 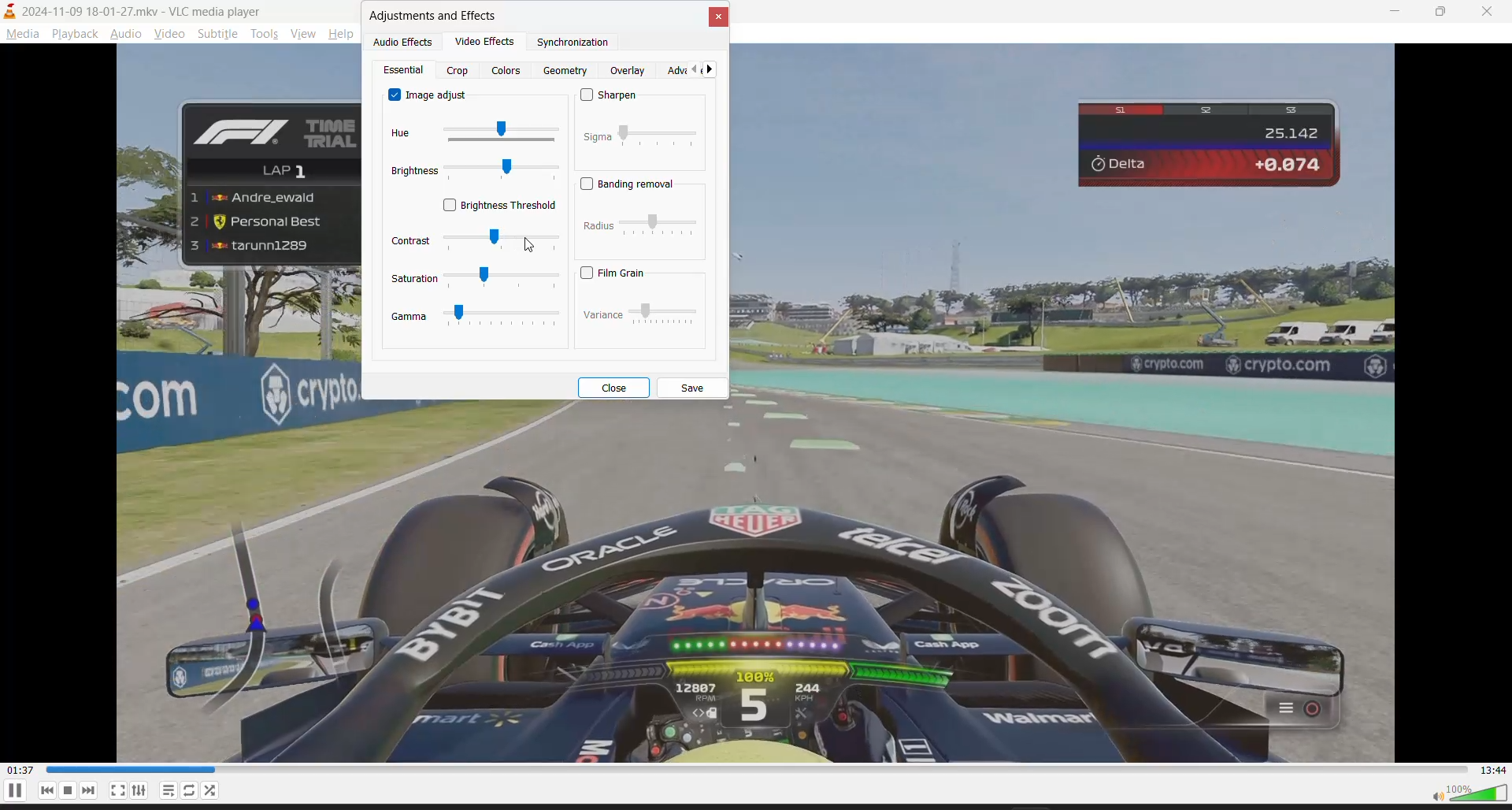 What do you see at coordinates (424, 97) in the screenshot?
I see `image adjust` at bounding box center [424, 97].